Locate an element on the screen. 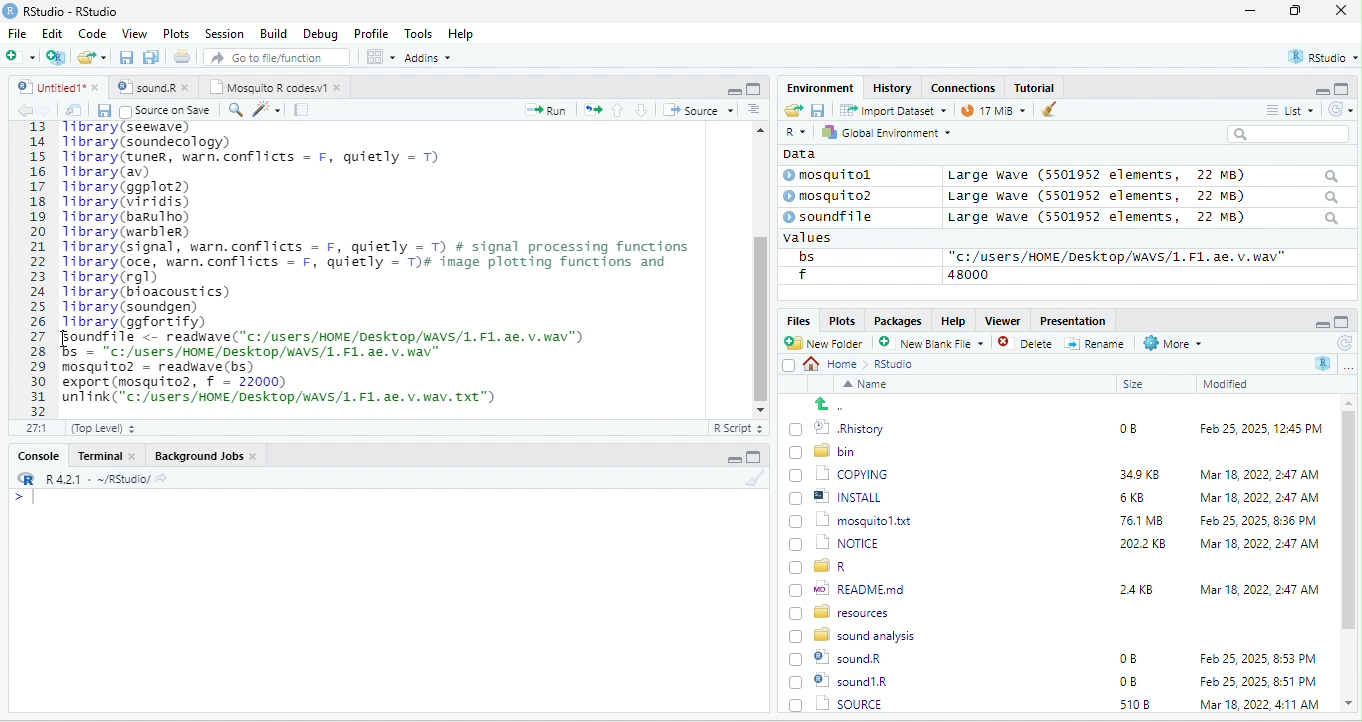  line number is located at coordinates (40, 268).